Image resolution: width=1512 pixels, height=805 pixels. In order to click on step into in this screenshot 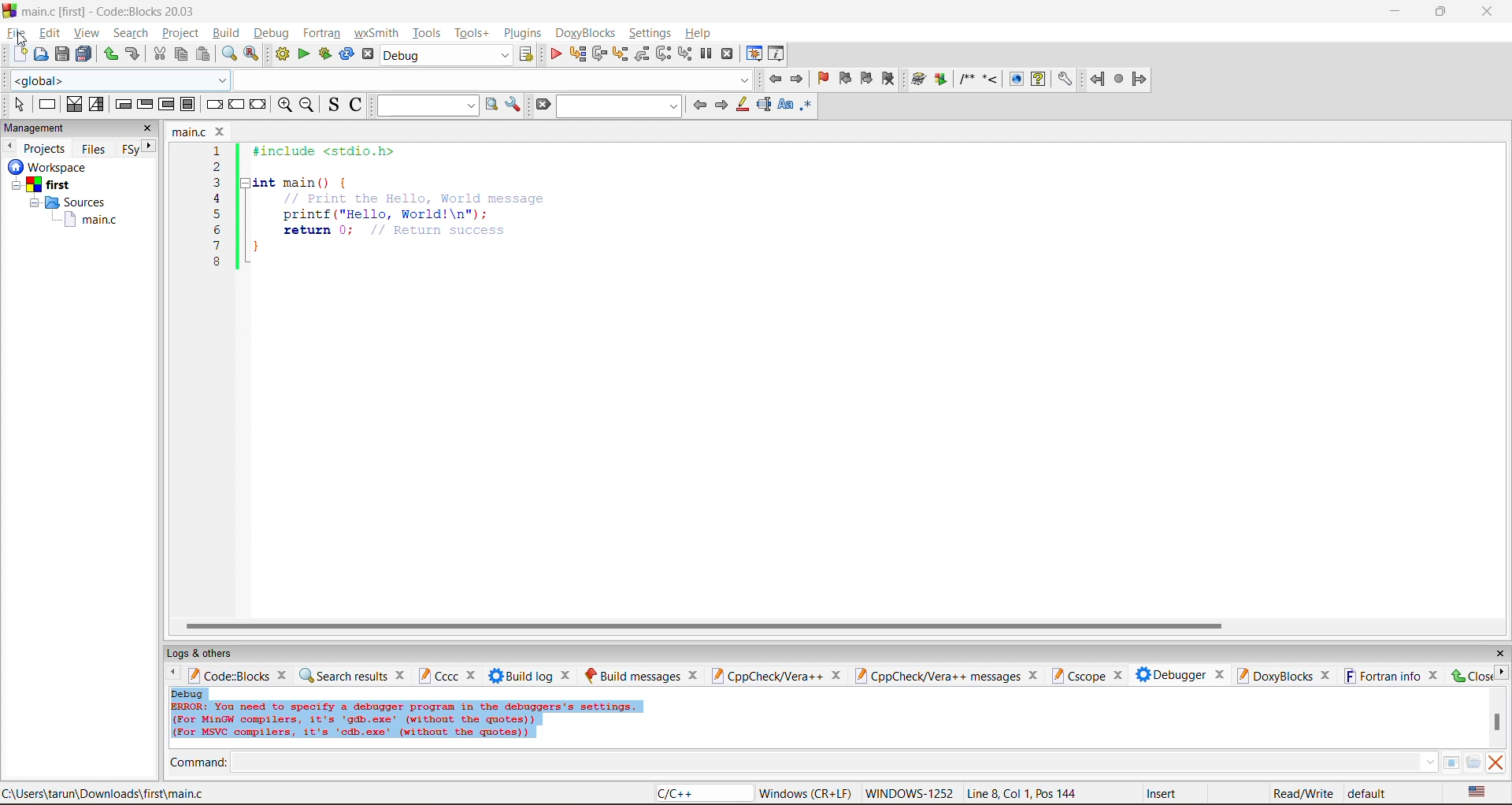, I will do `click(990, 78)`.